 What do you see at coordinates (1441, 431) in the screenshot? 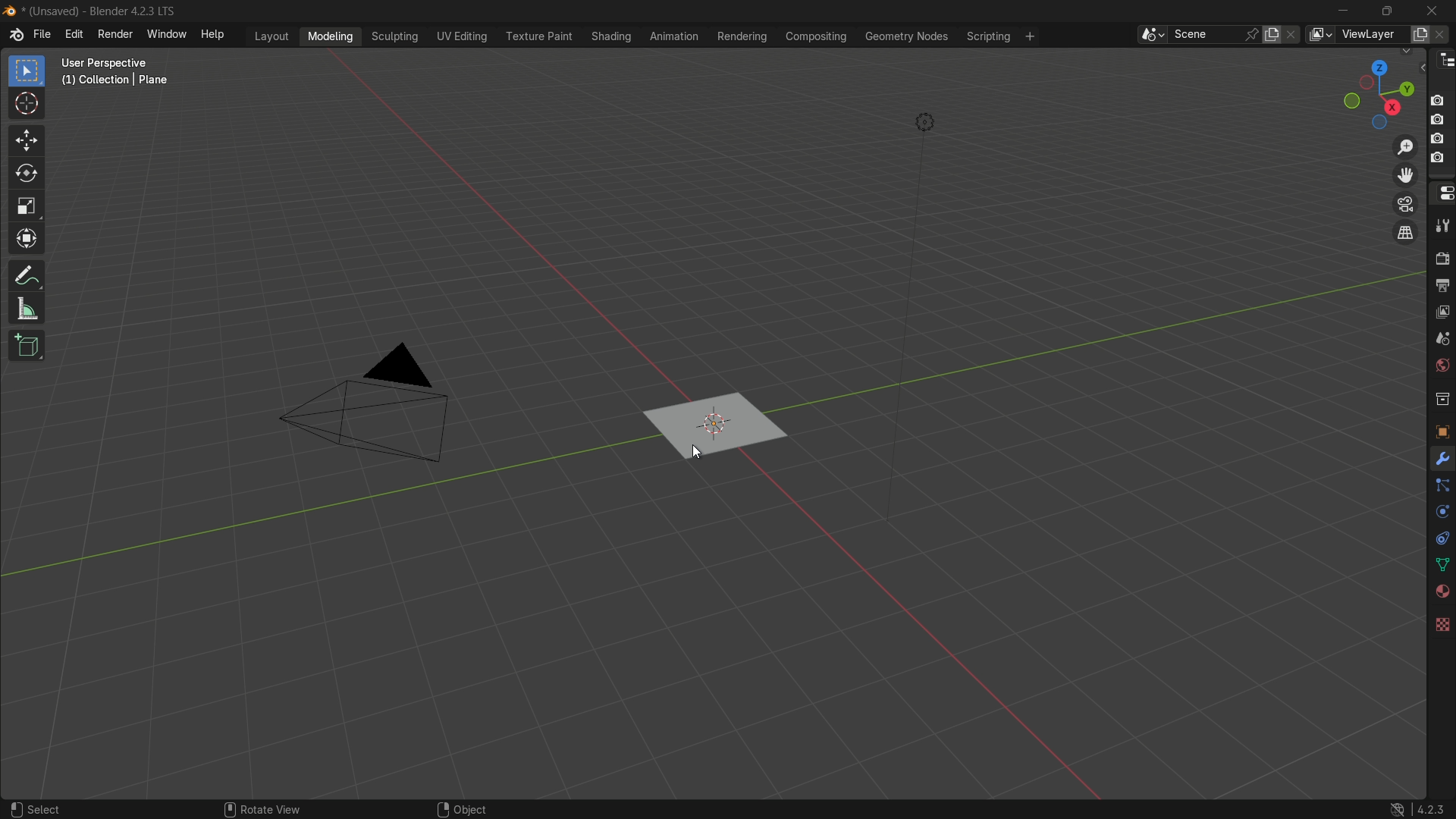
I see `object` at bounding box center [1441, 431].